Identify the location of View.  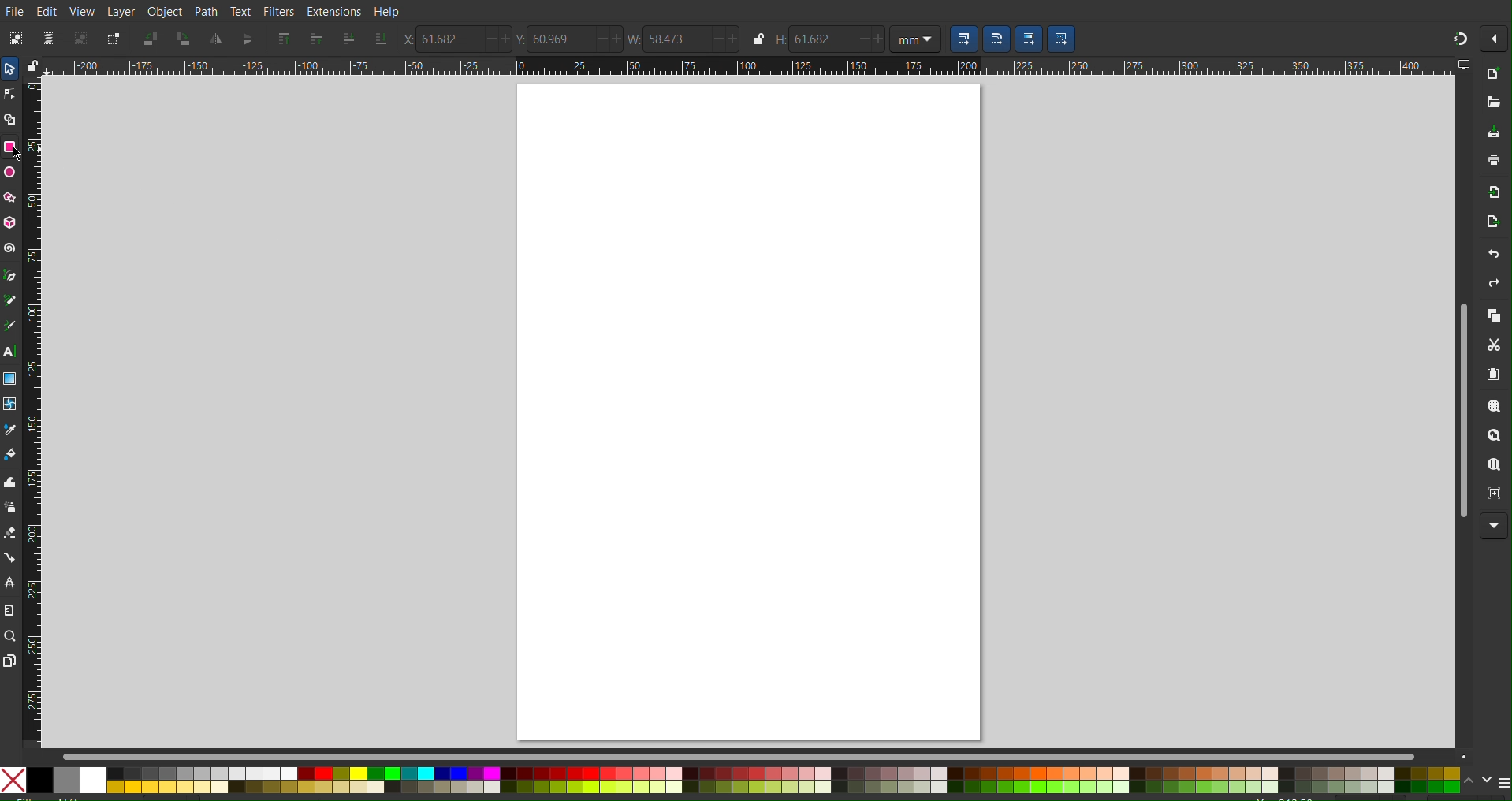
(84, 12).